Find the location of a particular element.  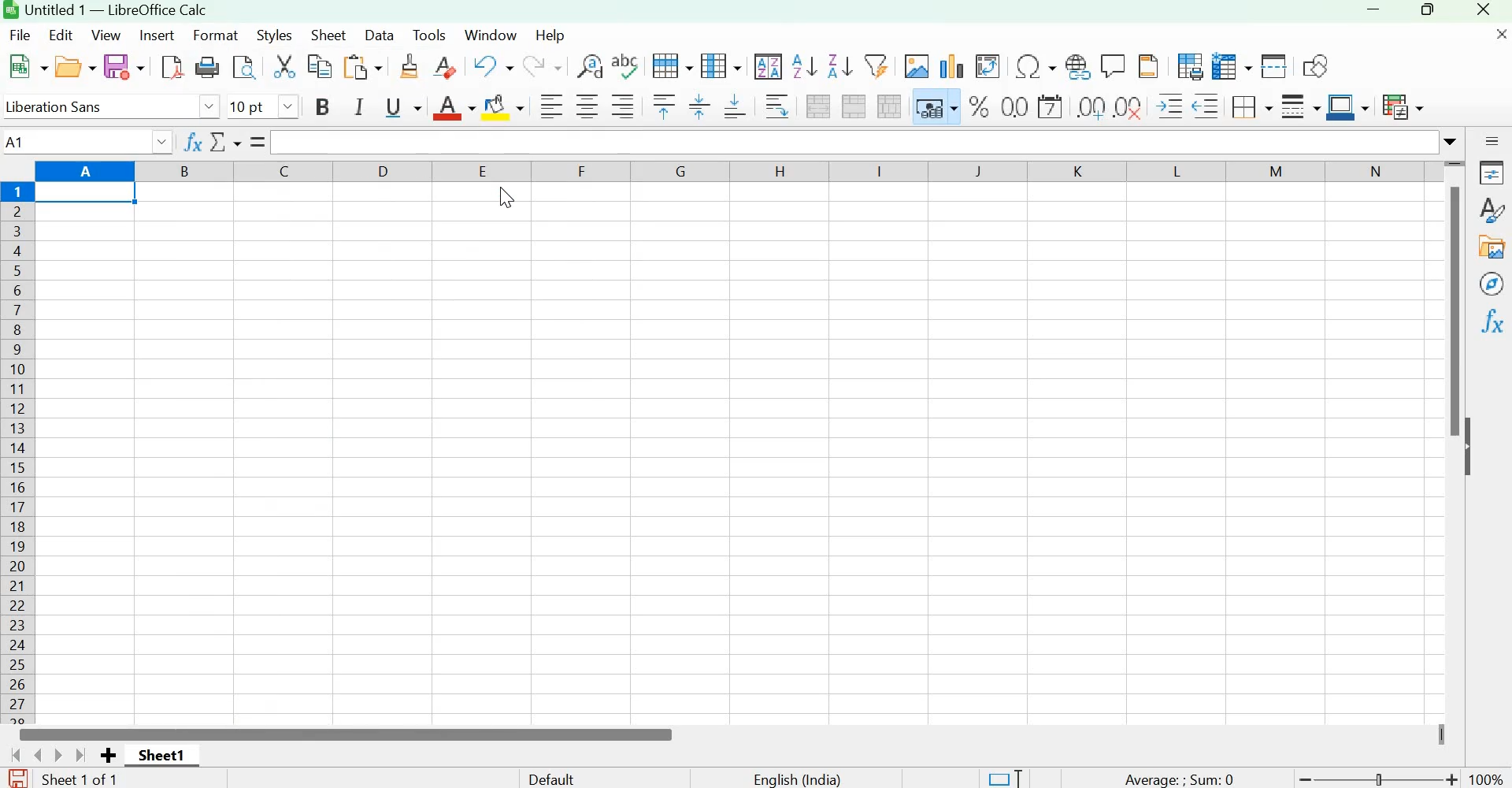

Font size is located at coordinates (265, 106).